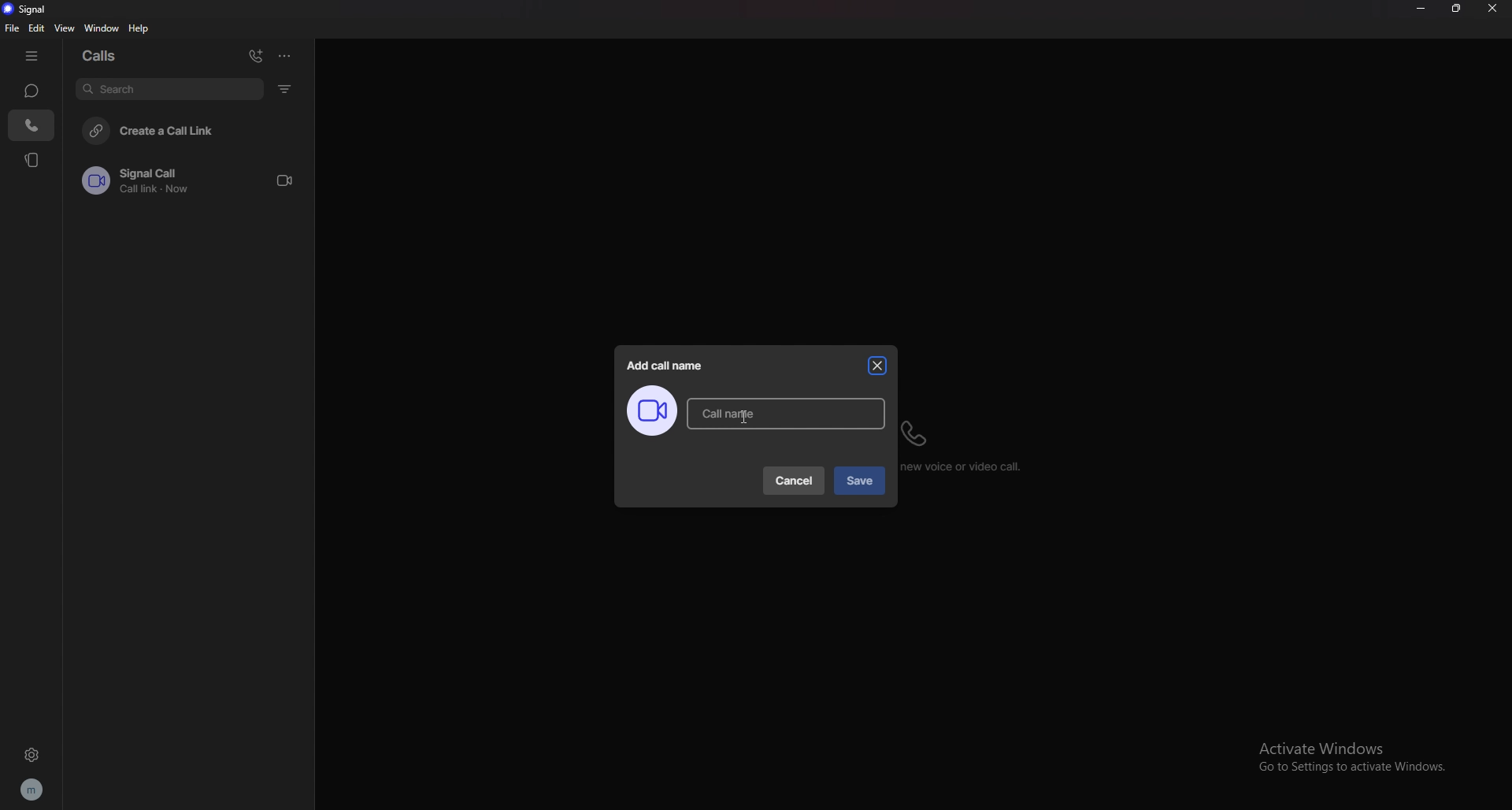 This screenshot has height=810, width=1512. Describe the element at coordinates (139, 28) in the screenshot. I see `help` at that location.